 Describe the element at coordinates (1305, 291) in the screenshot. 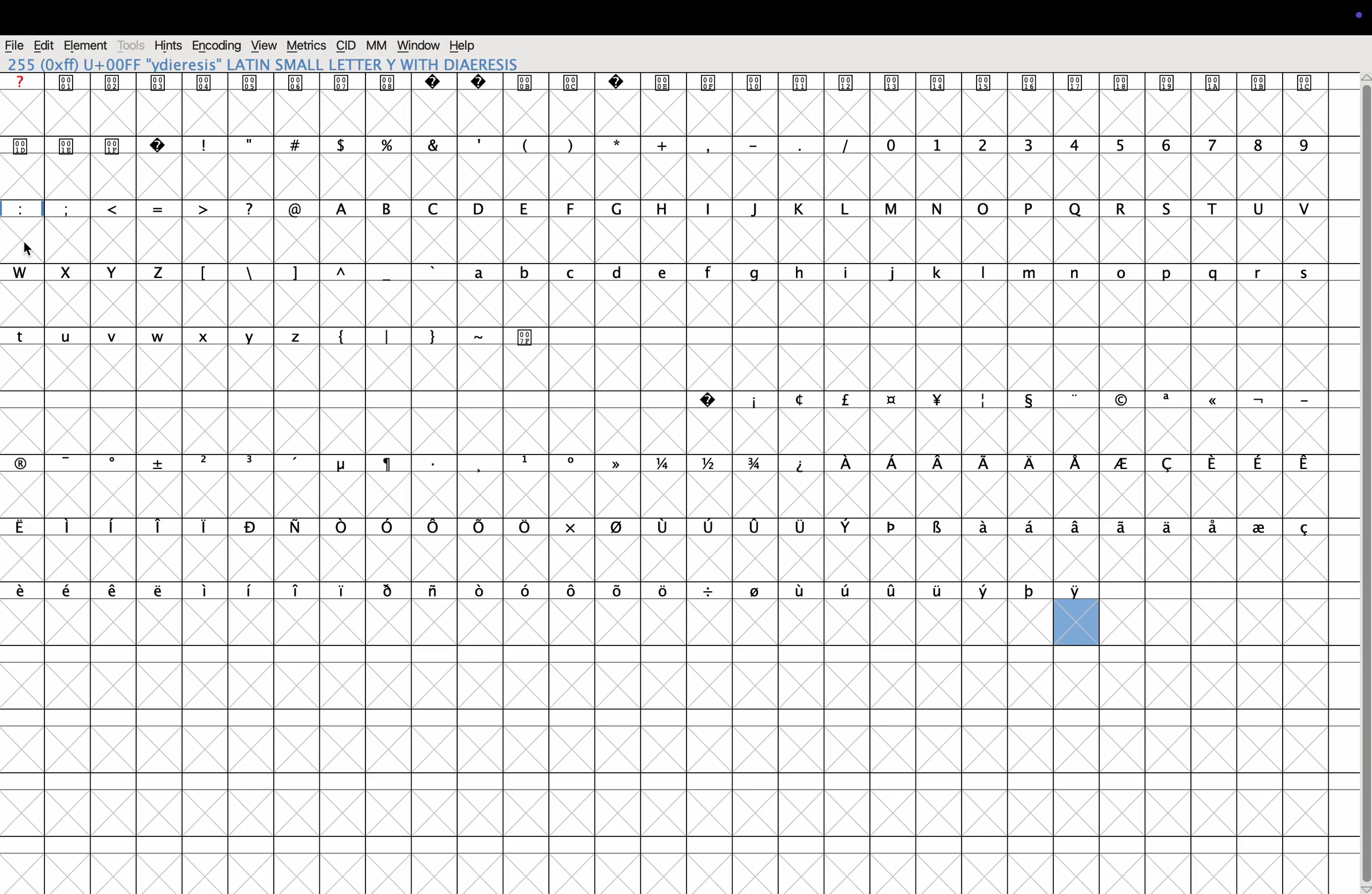

I see `s` at that location.